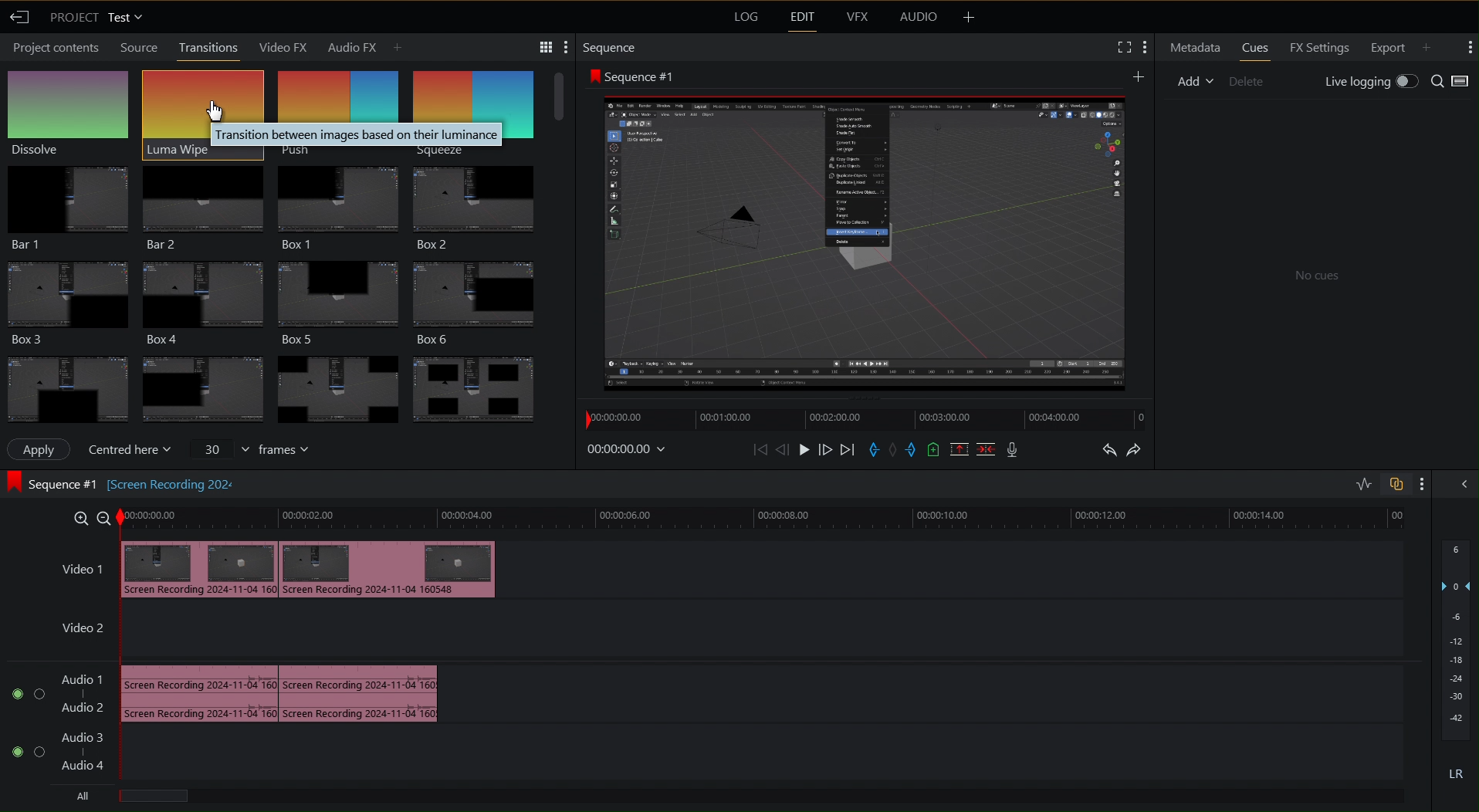  What do you see at coordinates (98, 19) in the screenshot?
I see `Project Test` at bounding box center [98, 19].